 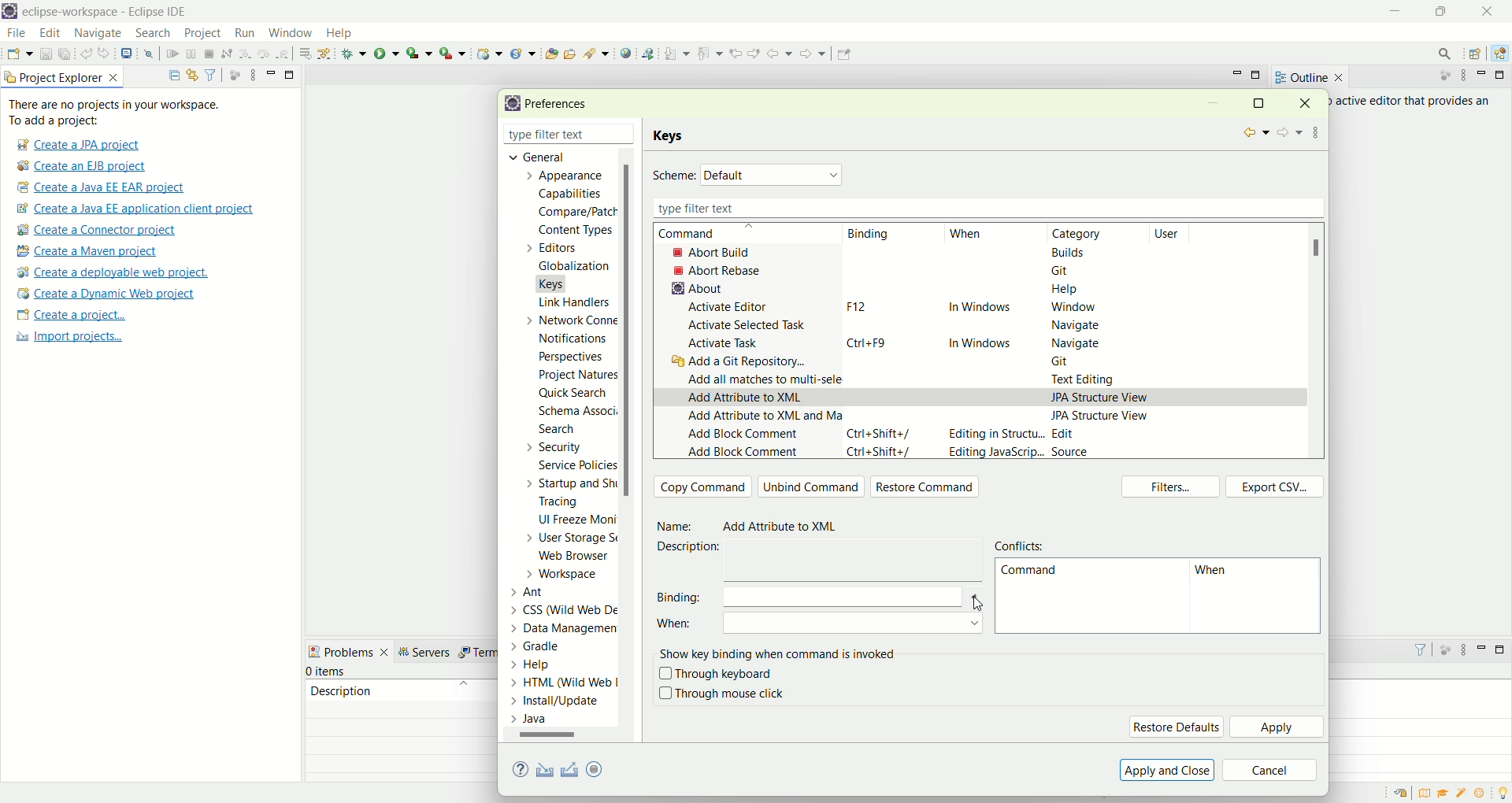 I want to click on problems, so click(x=349, y=650).